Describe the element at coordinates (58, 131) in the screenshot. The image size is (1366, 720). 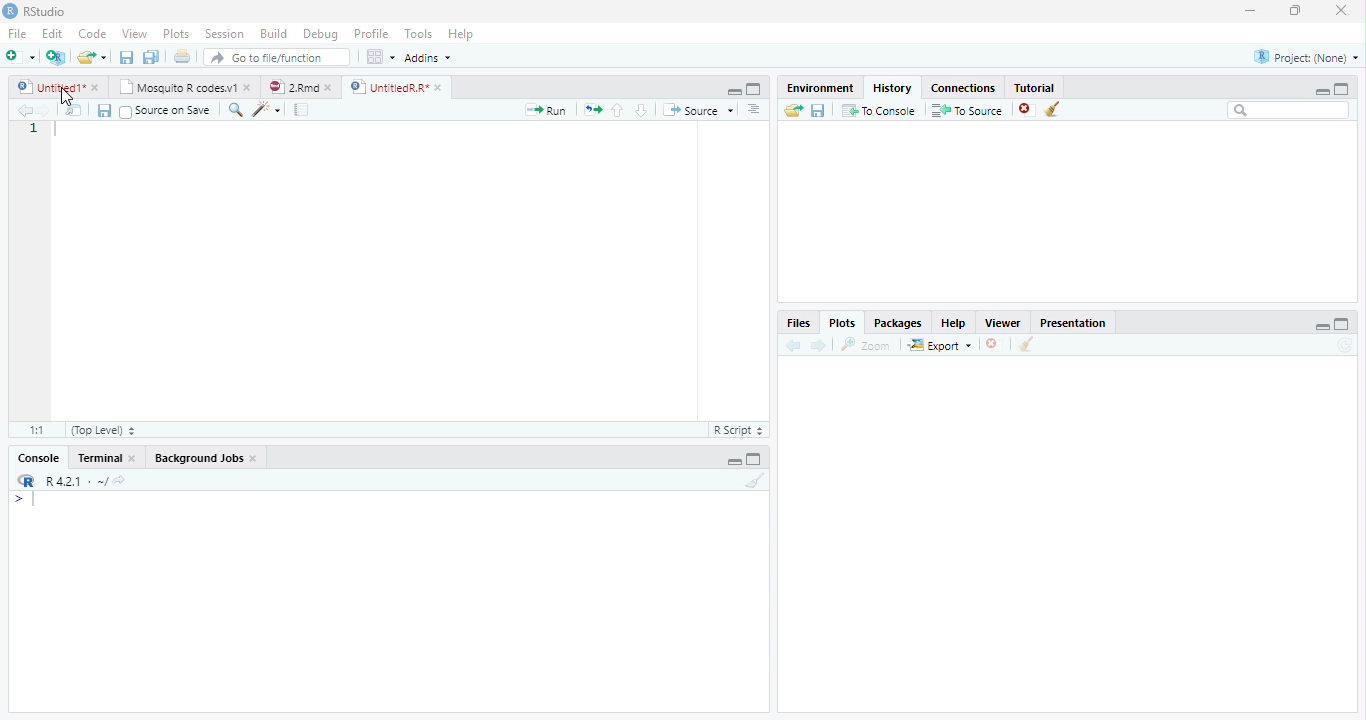
I see `Input cursor` at that location.